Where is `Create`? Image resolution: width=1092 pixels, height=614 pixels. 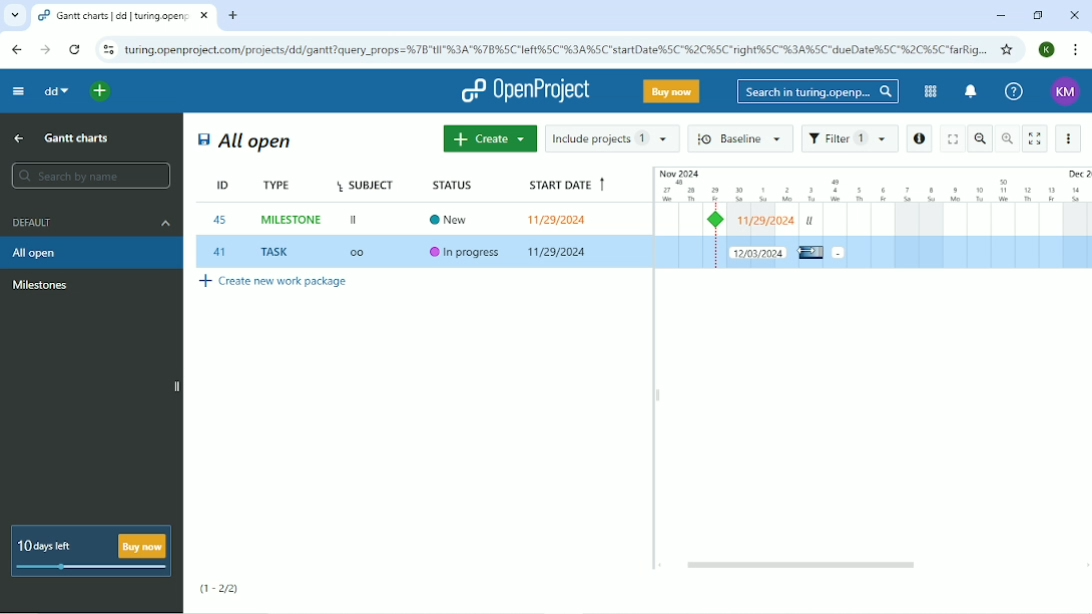
Create is located at coordinates (488, 139).